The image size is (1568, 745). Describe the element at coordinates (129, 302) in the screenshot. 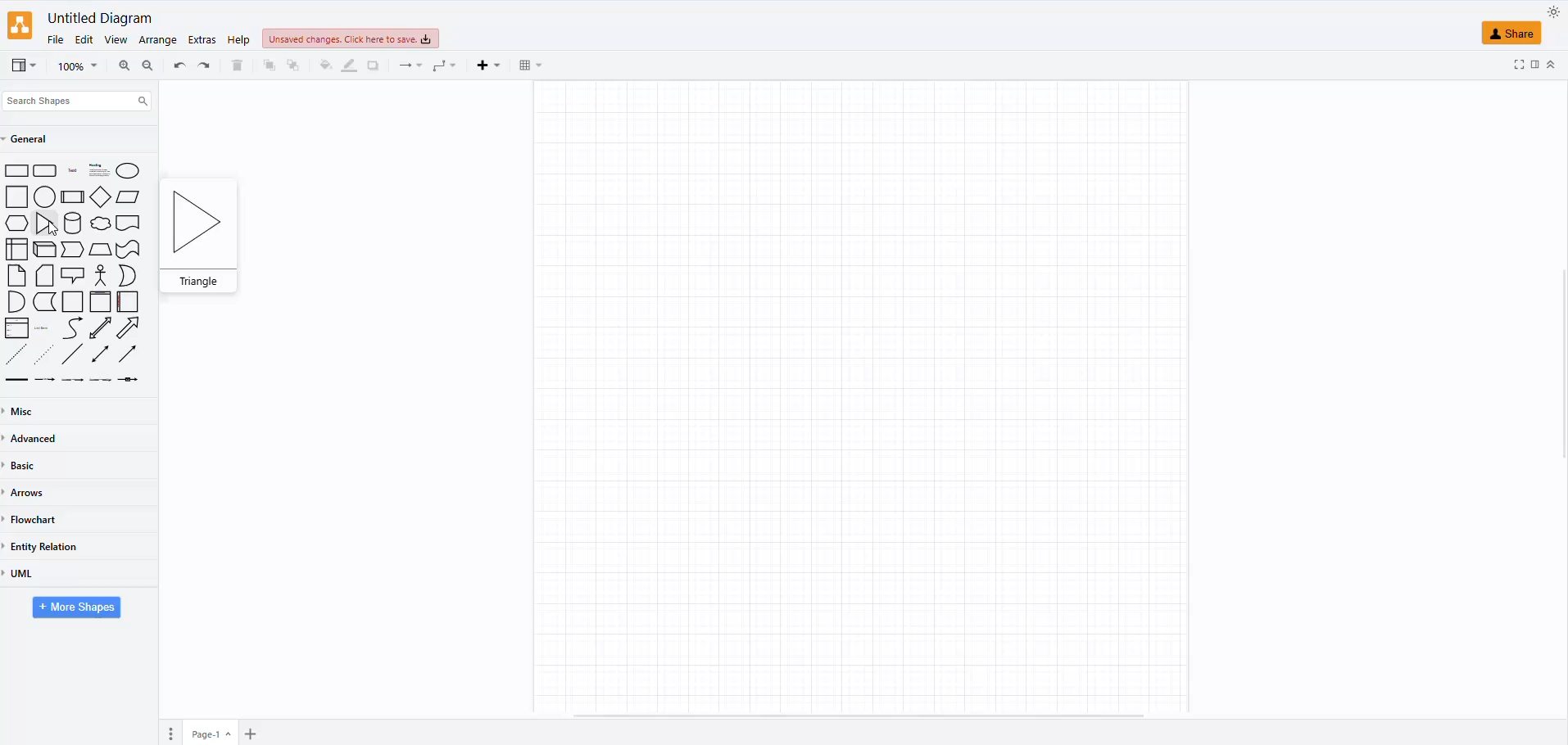

I see `Sidebar` at that location.